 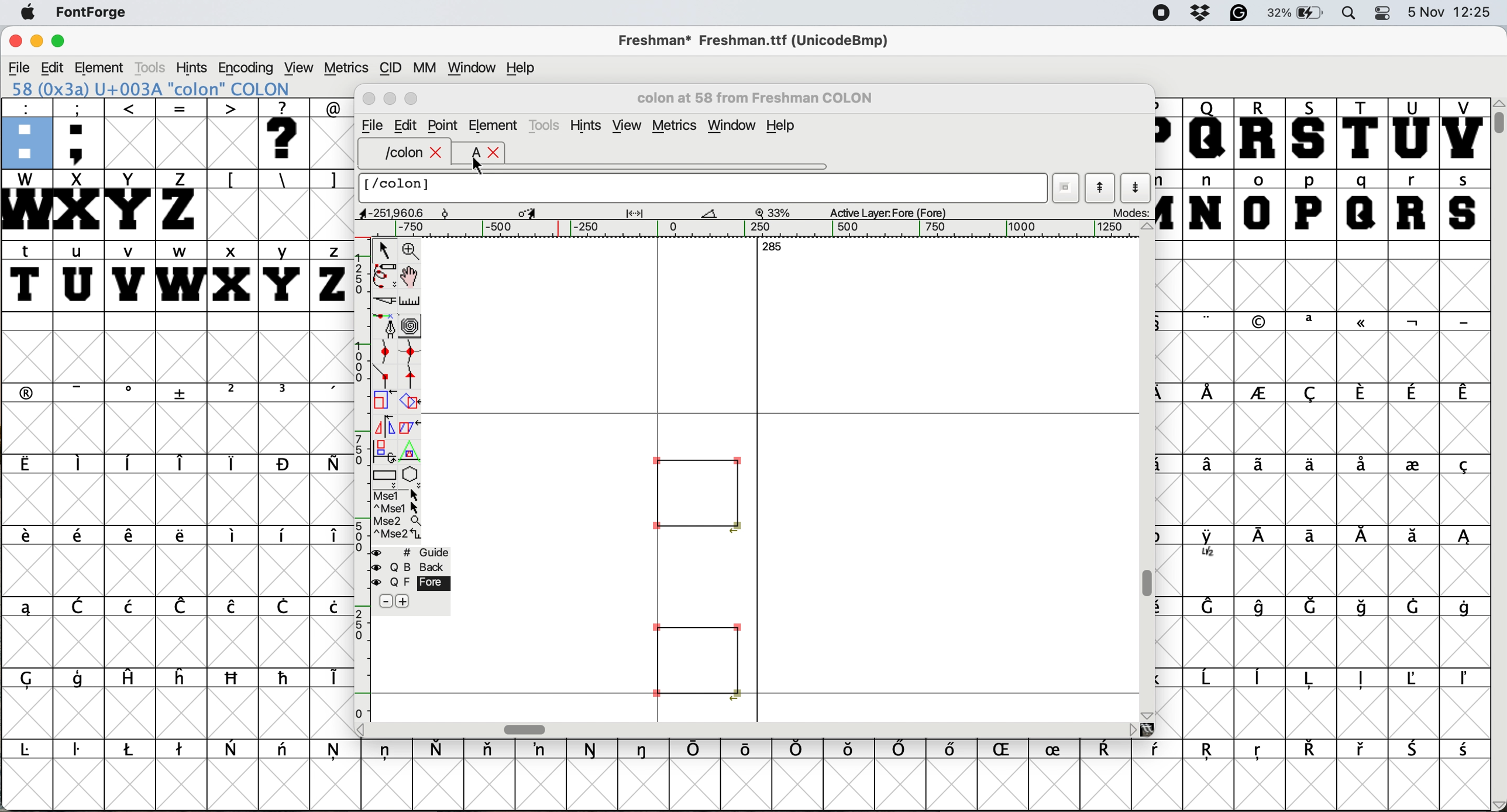 I want to click on symbol, so click(x=35, y=679).